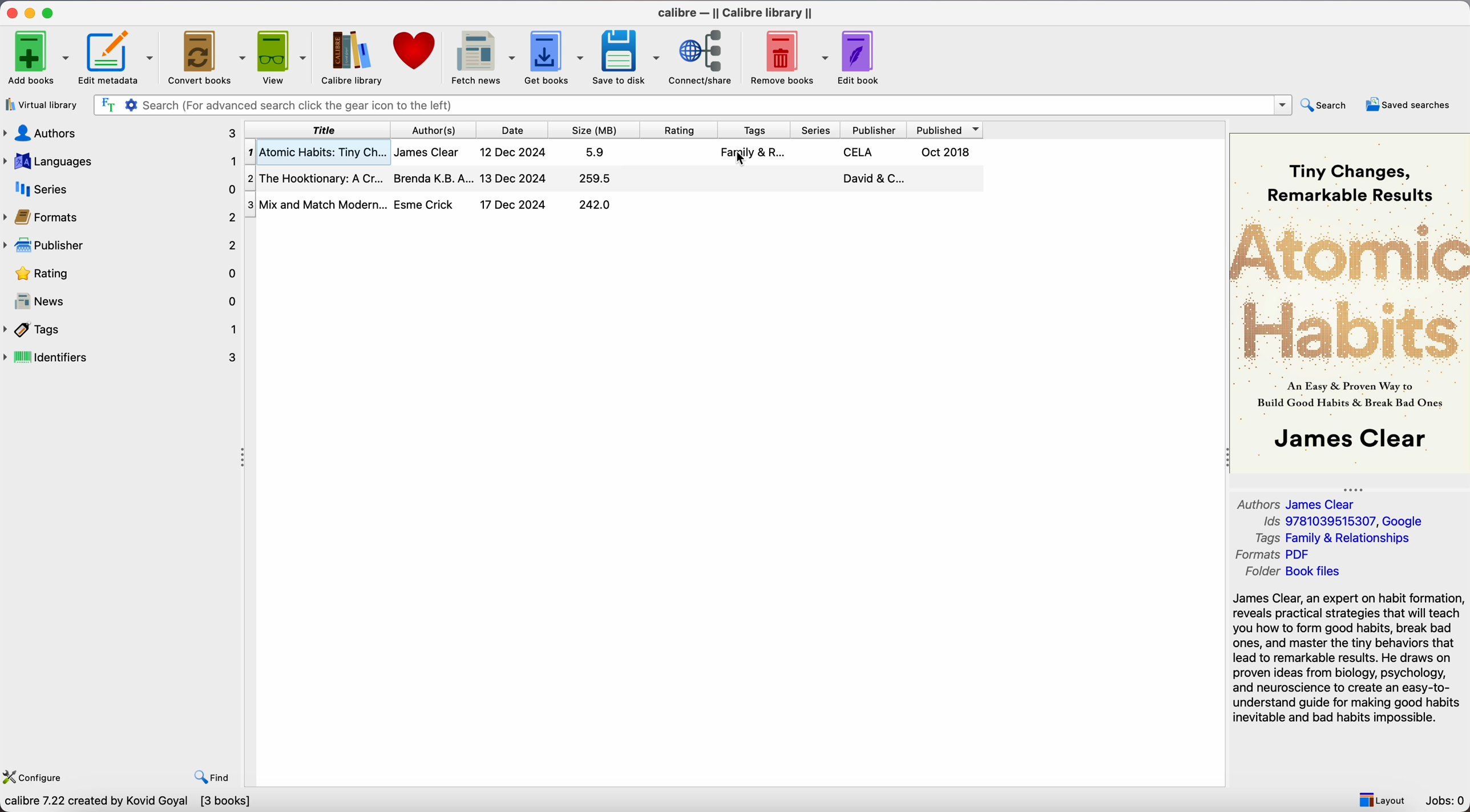 Image resolution: width=1470 pixels, height=812 pixels. What do you see at coordinates (596, 130) in the screenshot?
I see `size` at bounding box center [596, 130].